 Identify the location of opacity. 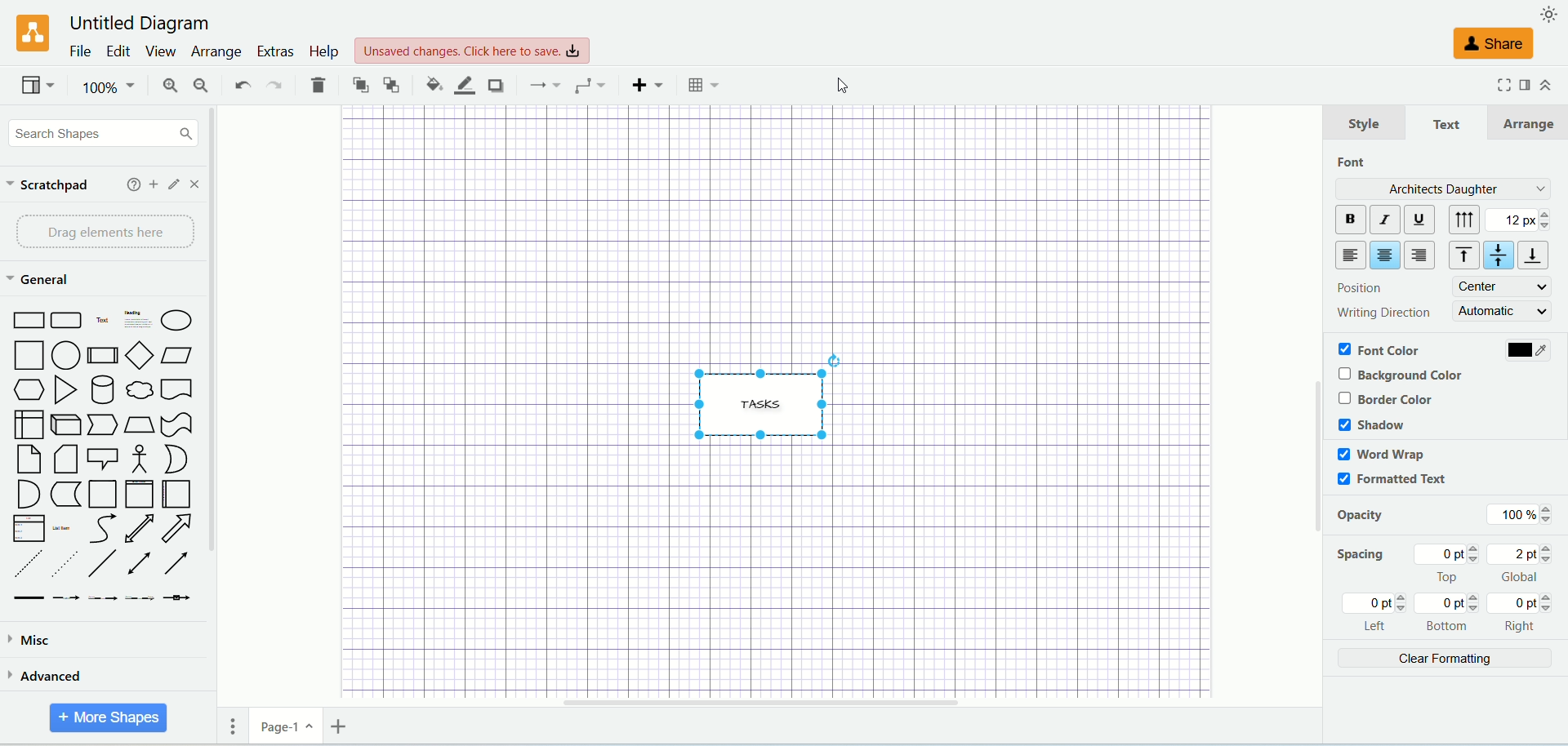
(1365, 517).